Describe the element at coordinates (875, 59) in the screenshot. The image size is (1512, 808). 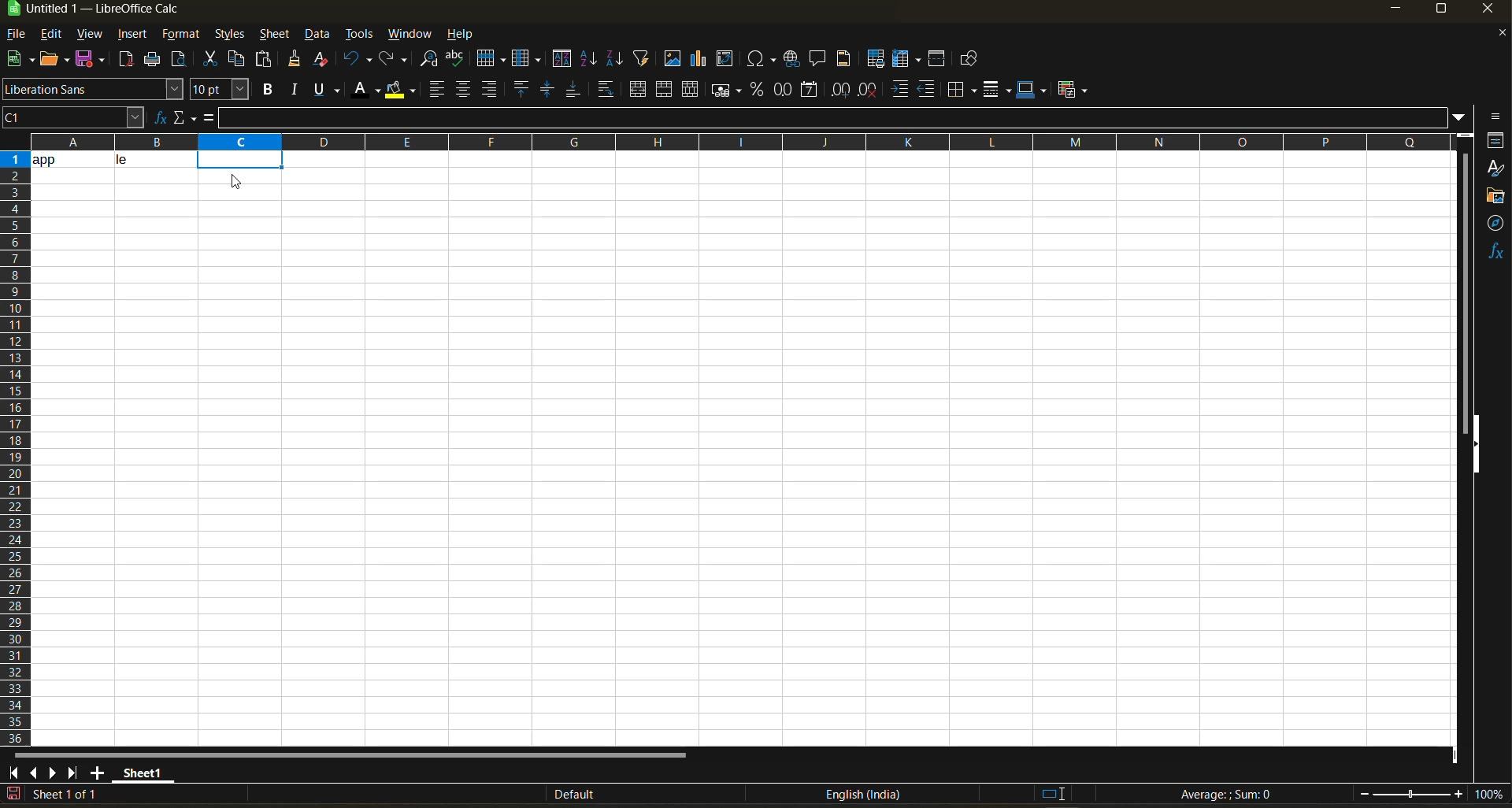
I see `define print area` at that location.